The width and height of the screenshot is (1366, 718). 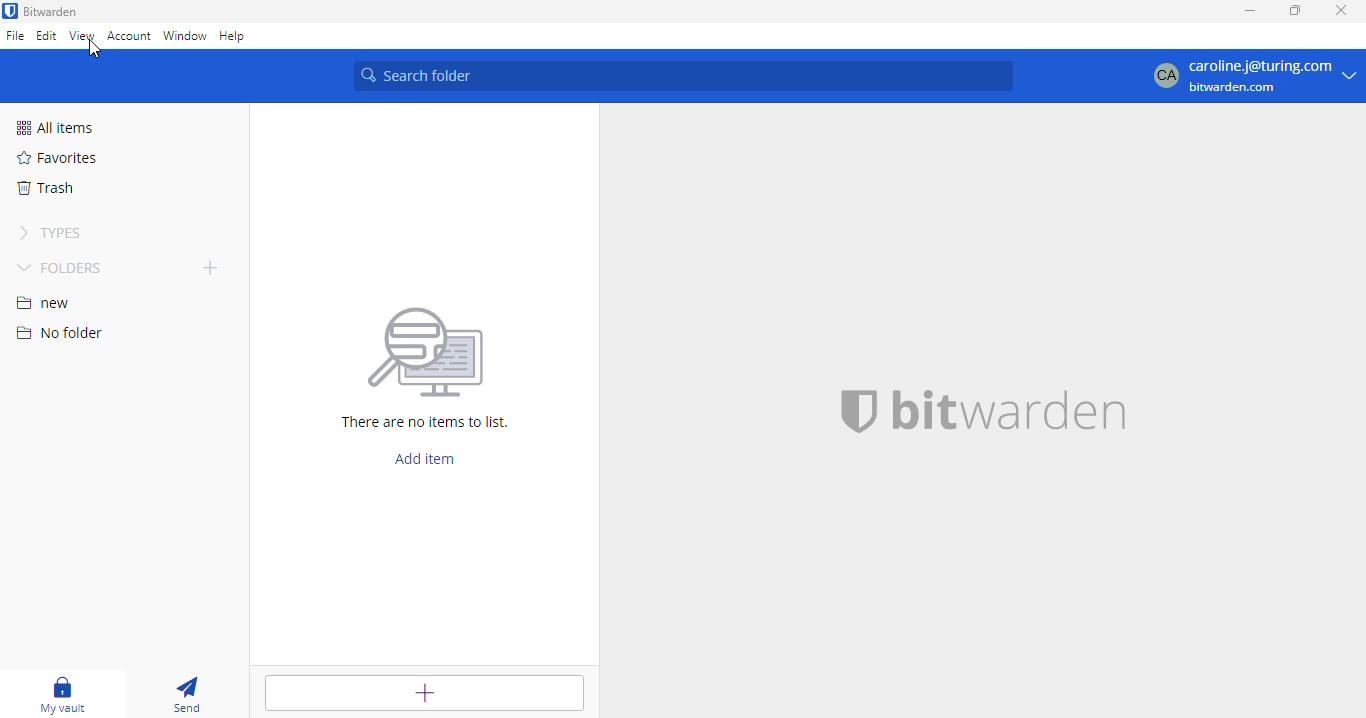 What do you see at coordinates (55, 128) in the screenshot?
I see `all items` at bounding box center [55, 128].